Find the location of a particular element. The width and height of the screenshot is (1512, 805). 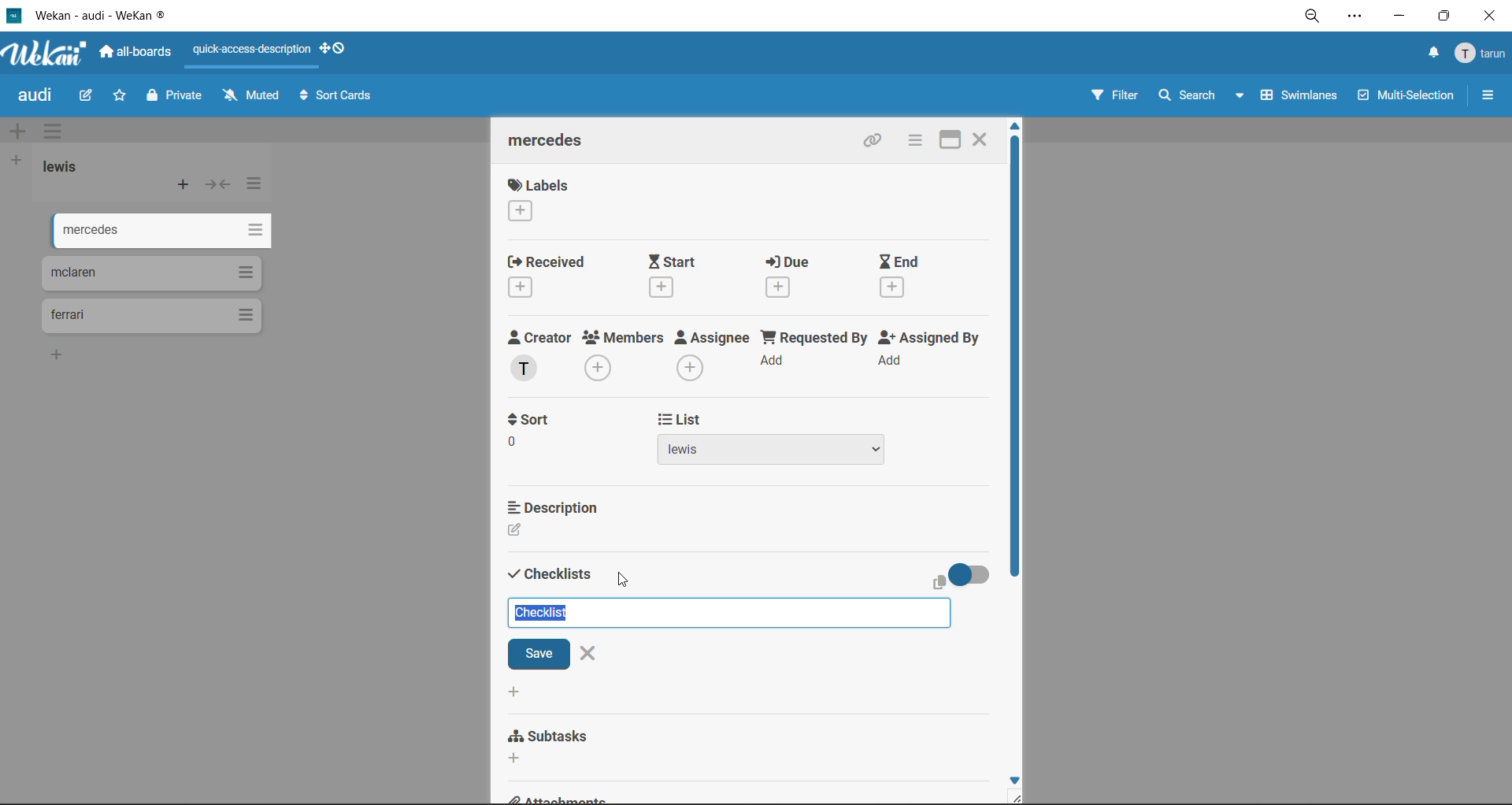

app titlew is located at coordinates (124, 18).